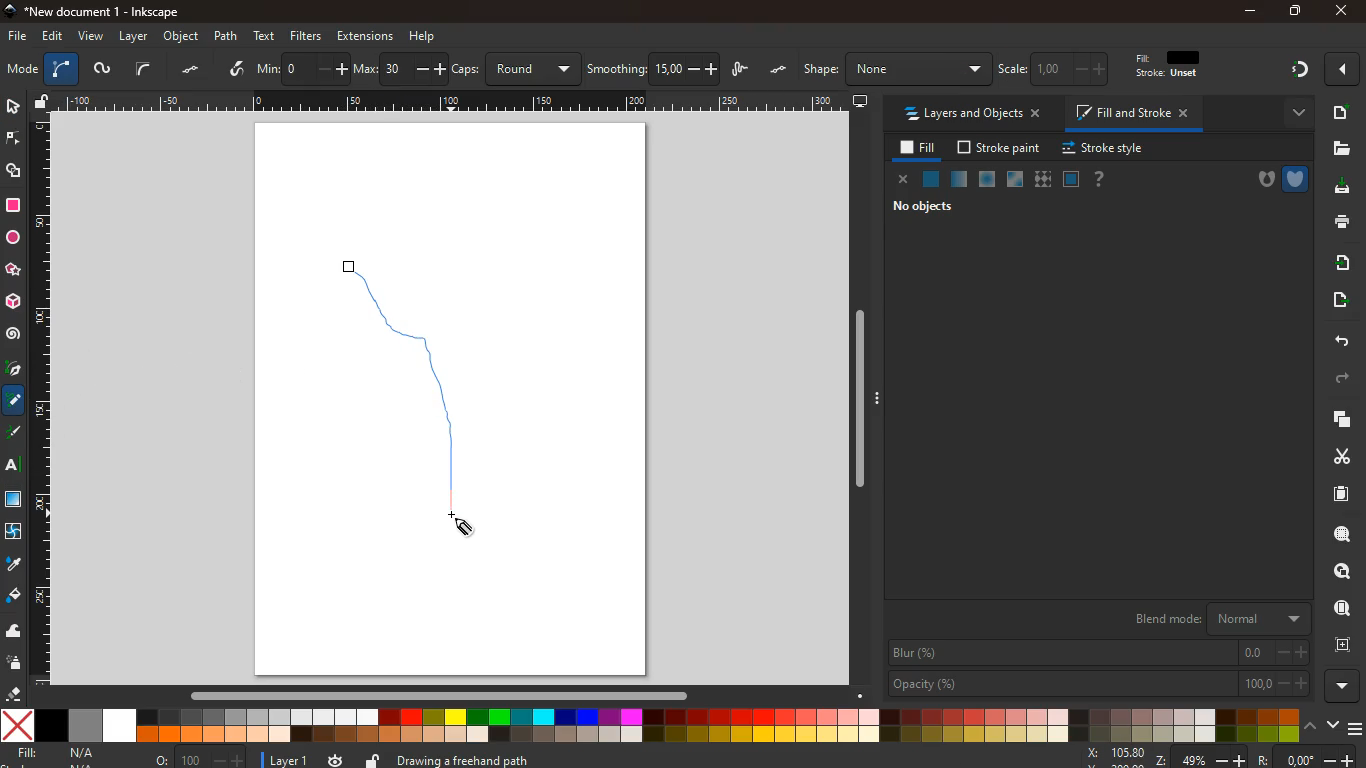  What do you see at coordinates (680, 758) in the screenshot?
I see `description` at bounding box center [680, 758].